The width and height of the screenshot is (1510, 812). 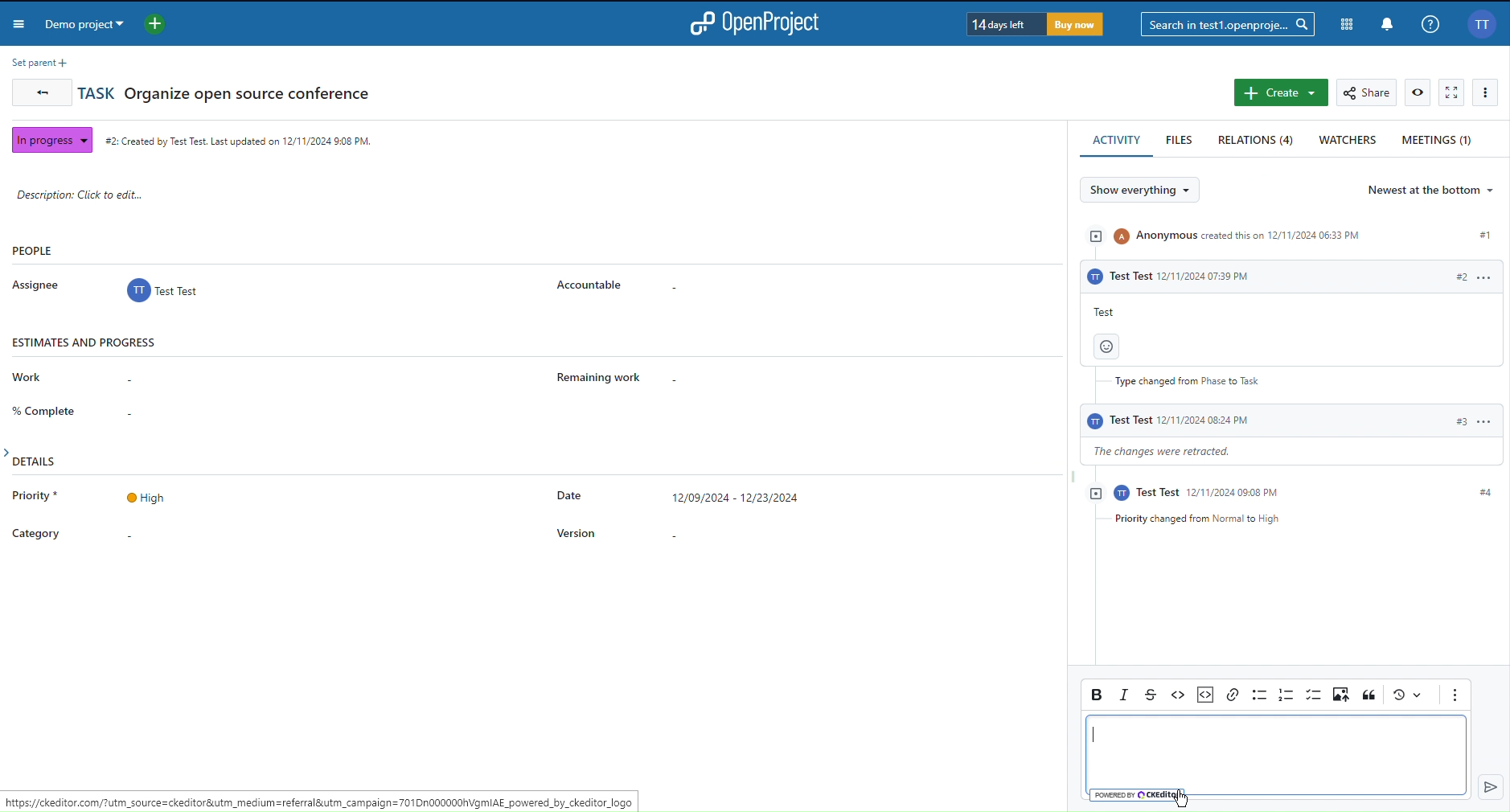 I want to click on Meetings, so click(x=1439, y=139).